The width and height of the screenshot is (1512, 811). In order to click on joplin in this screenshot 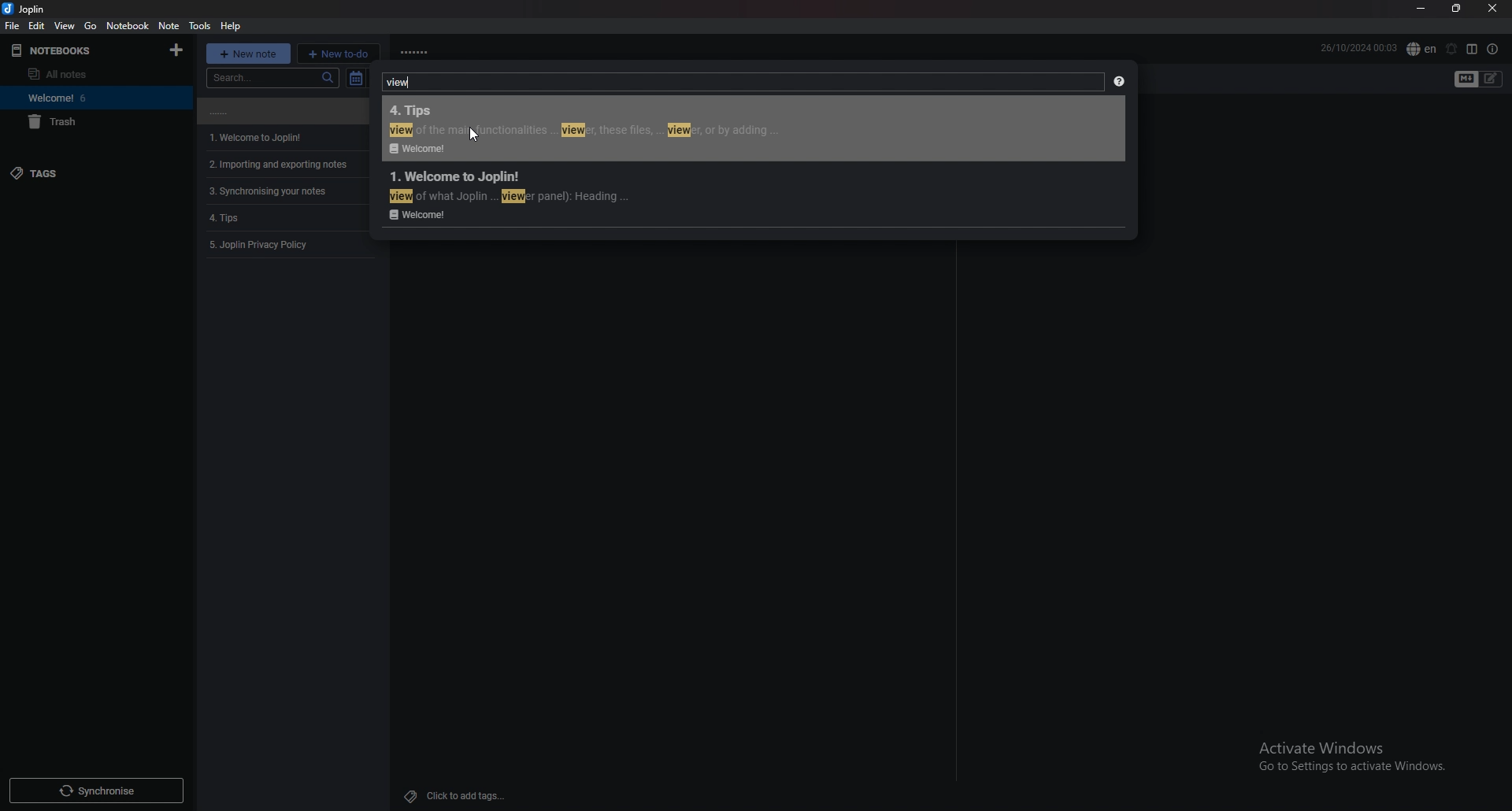, I will do `click(28, 9)`.